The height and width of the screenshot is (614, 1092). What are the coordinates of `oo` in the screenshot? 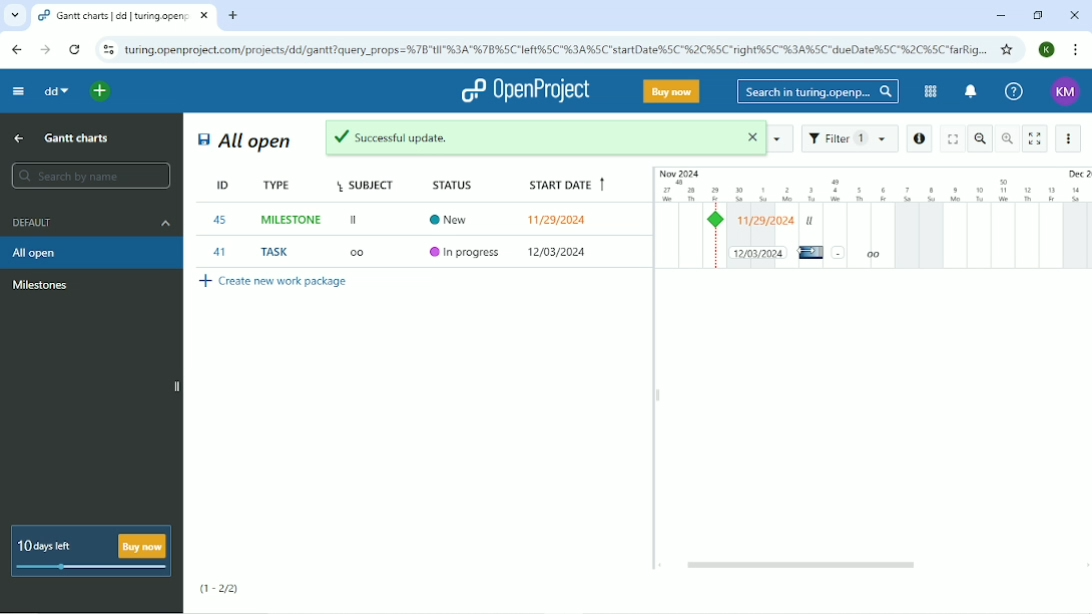 It's located at (873, 254).